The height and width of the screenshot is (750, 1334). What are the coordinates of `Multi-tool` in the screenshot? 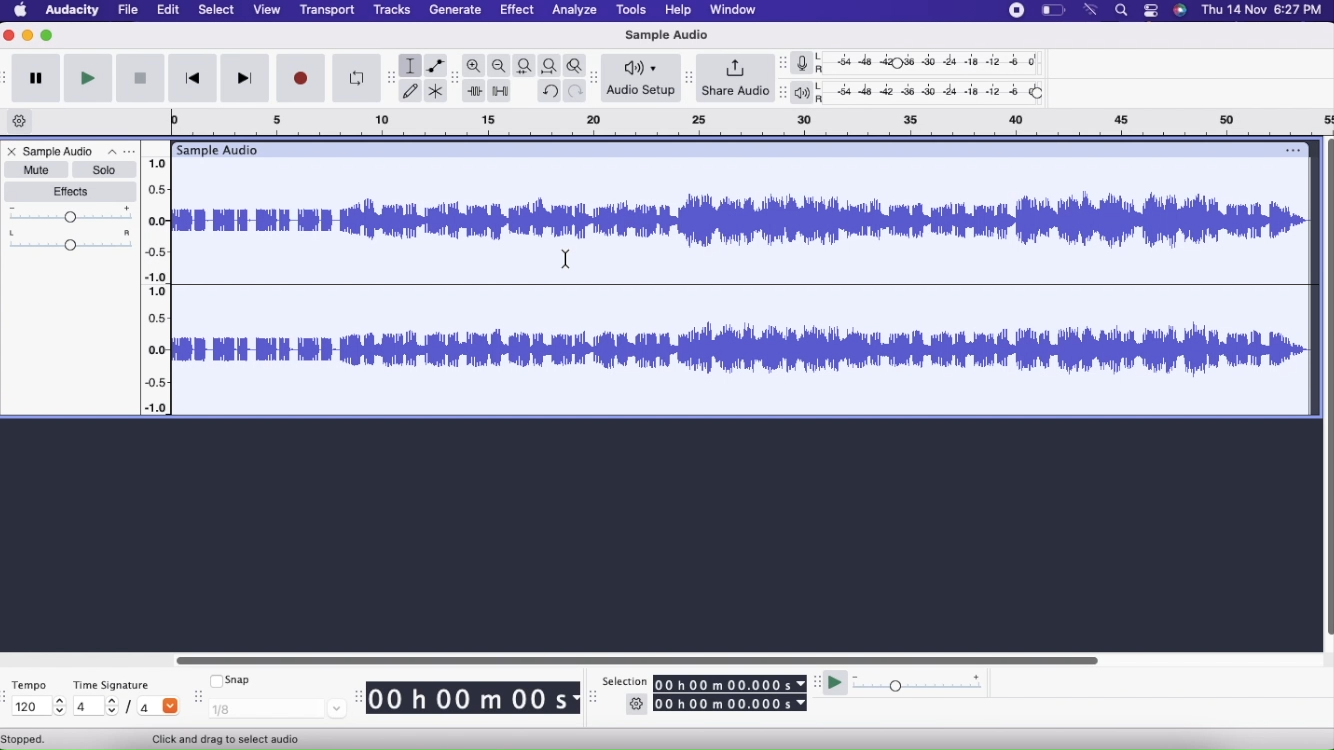 It's located at (438, 90).